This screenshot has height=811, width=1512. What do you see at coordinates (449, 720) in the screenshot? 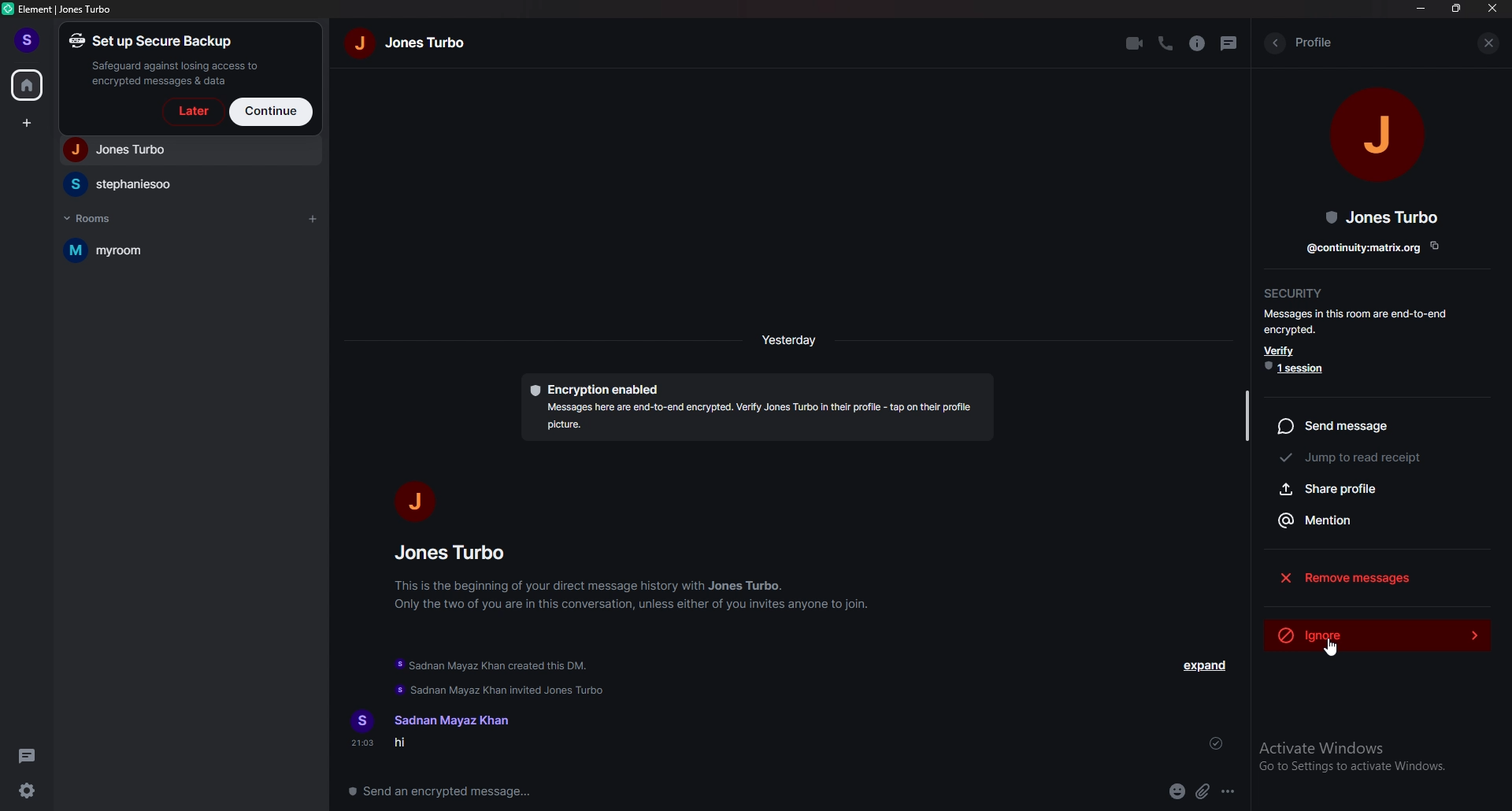
I see `name` at bounding box center [449, 720].